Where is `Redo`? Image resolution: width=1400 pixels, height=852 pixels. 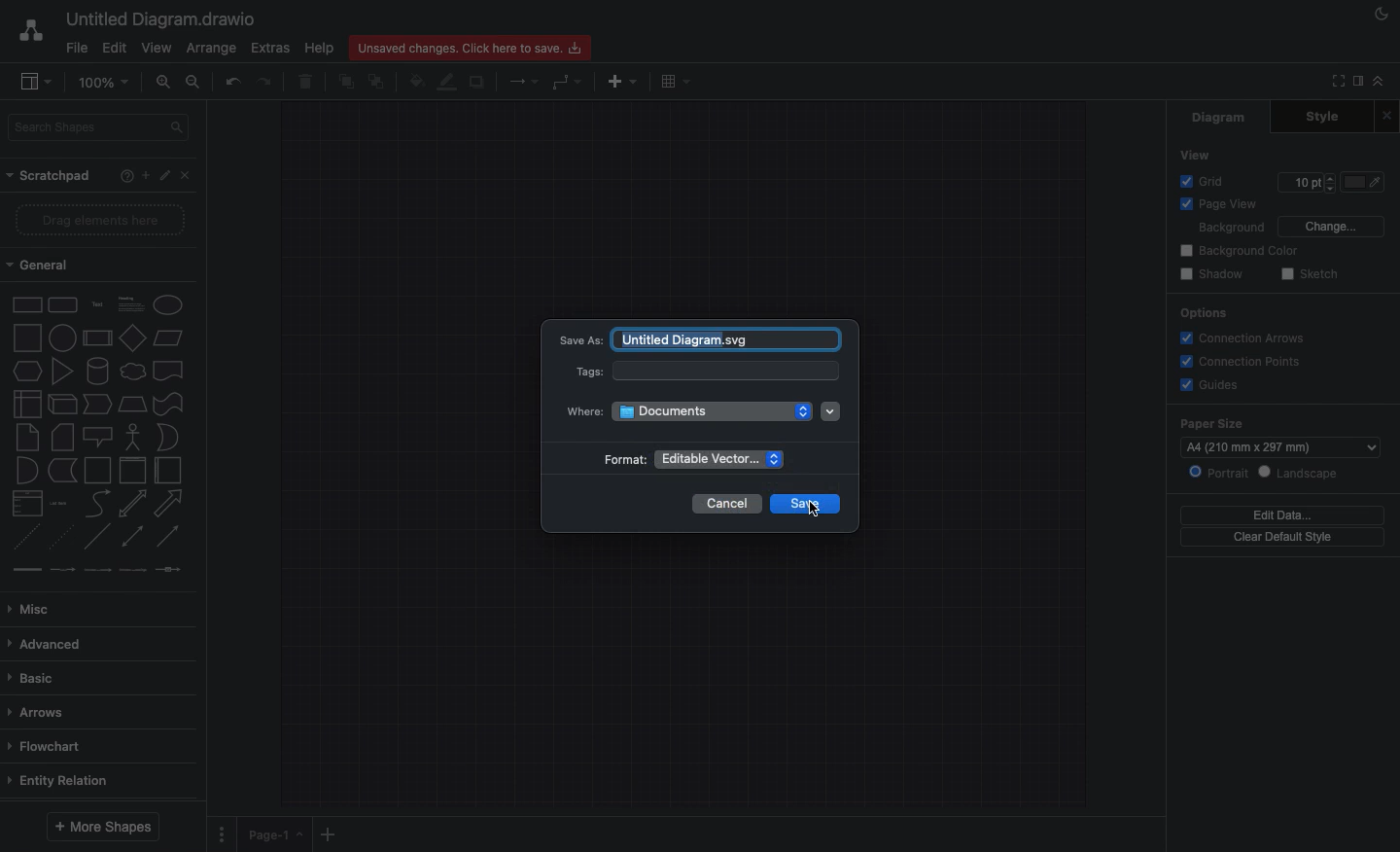 Redo is located at coordinates (264, 81).